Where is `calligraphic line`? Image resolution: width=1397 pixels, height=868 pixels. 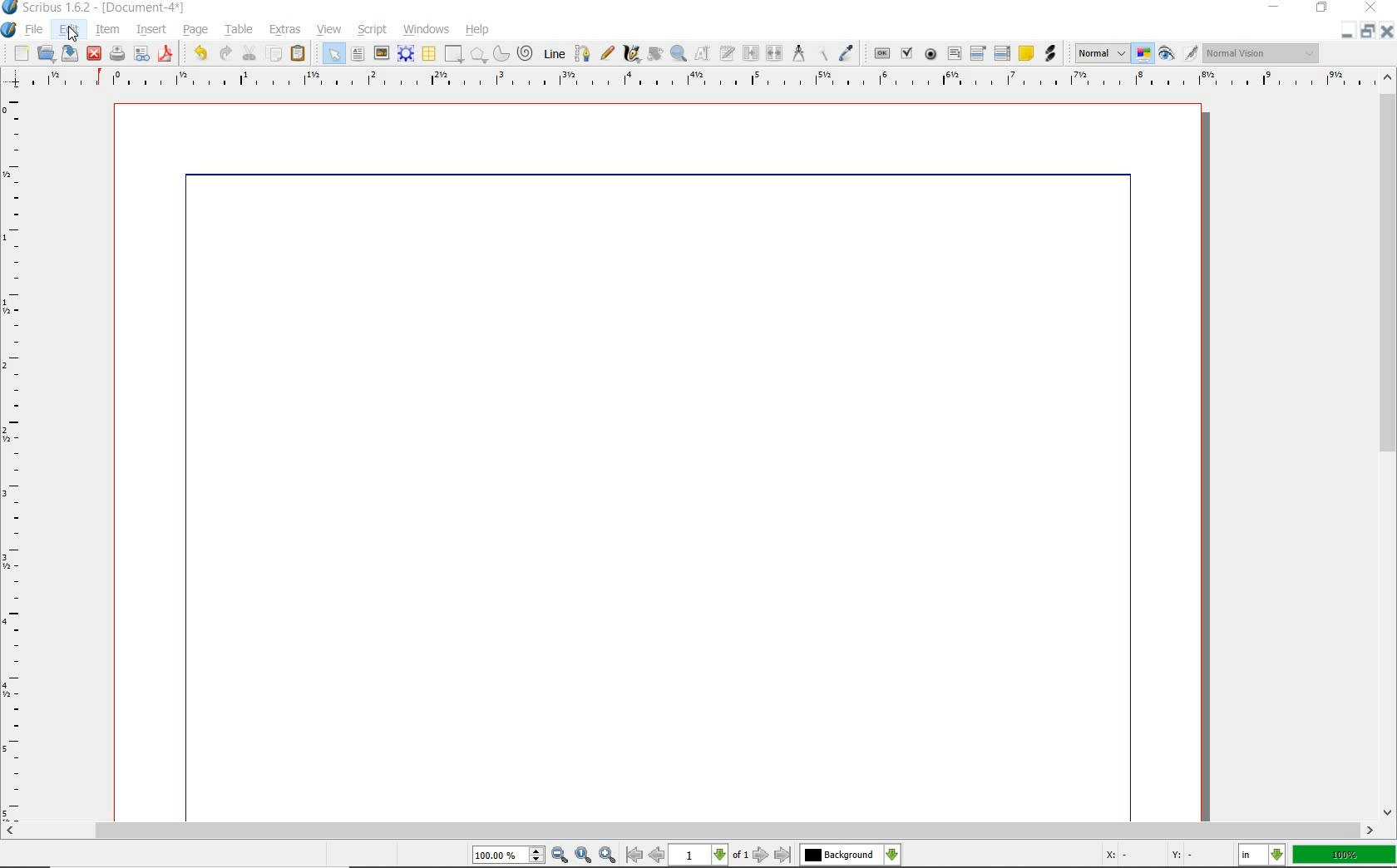 calligraphic line is located at coordinates (631, 54).